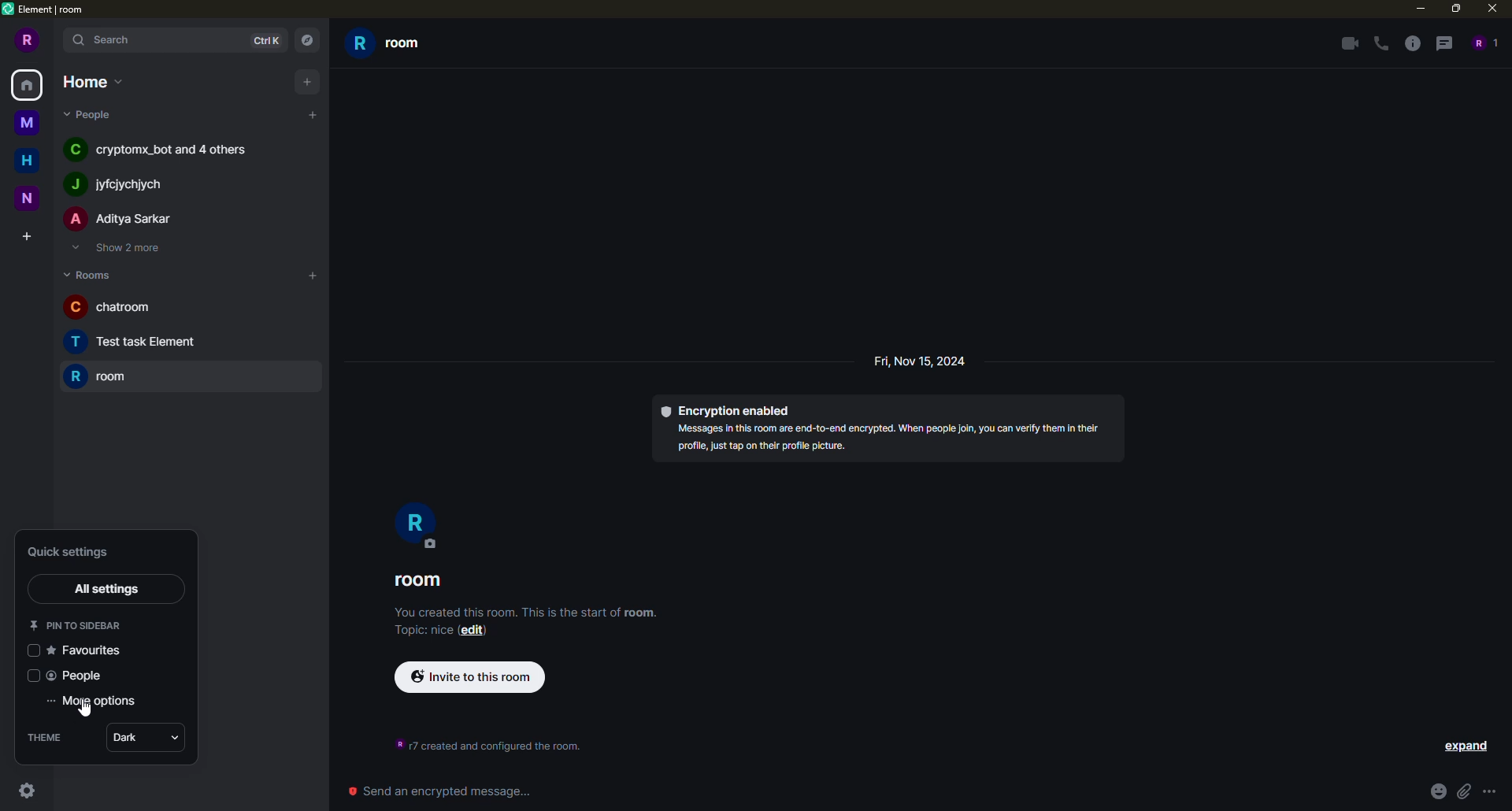 This screenshot has height=811, width=1512. I want to click on attach, so click(1463, 791).